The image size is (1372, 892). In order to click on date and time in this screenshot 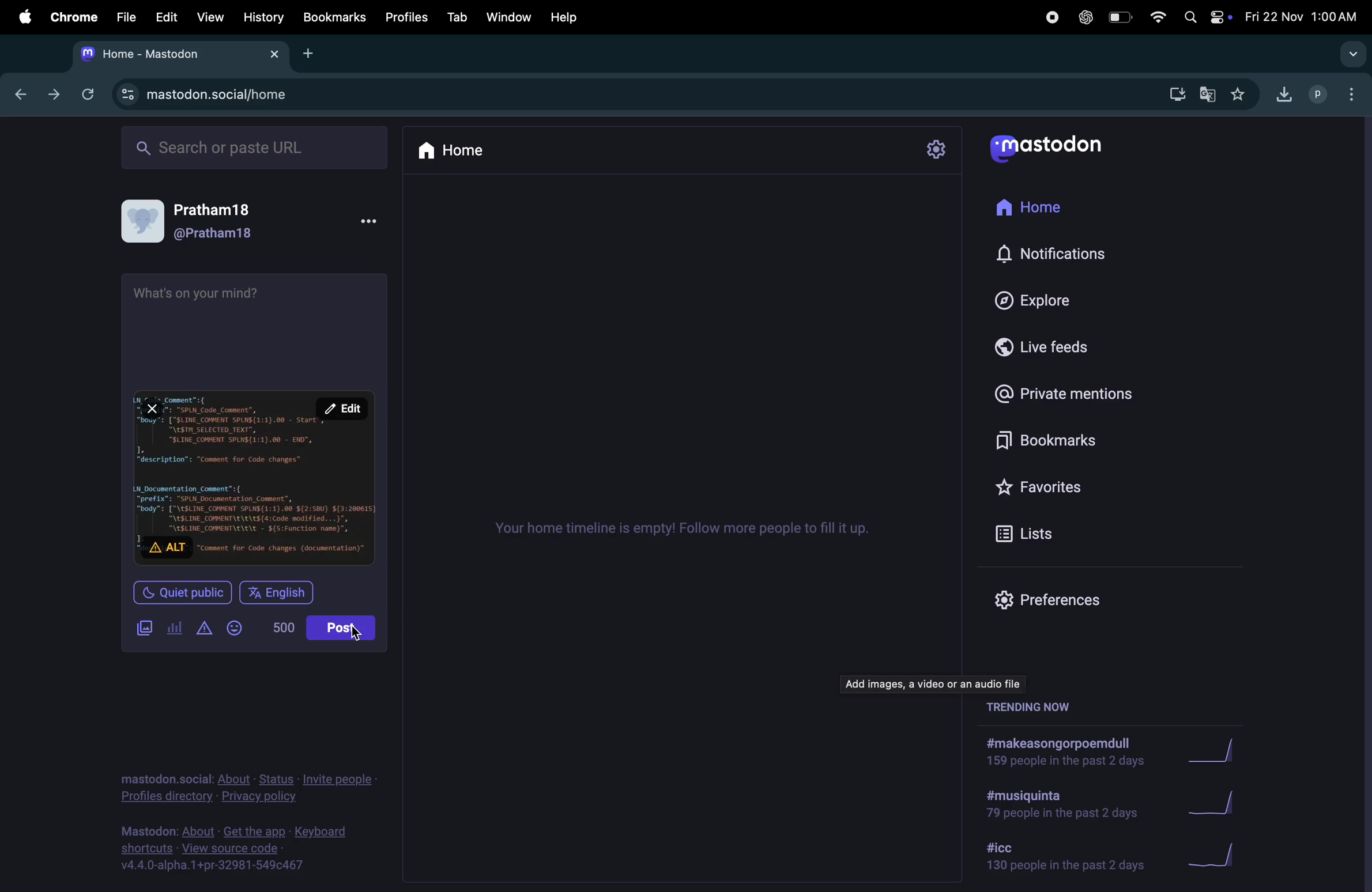, I will do `click(1304, 14)`.